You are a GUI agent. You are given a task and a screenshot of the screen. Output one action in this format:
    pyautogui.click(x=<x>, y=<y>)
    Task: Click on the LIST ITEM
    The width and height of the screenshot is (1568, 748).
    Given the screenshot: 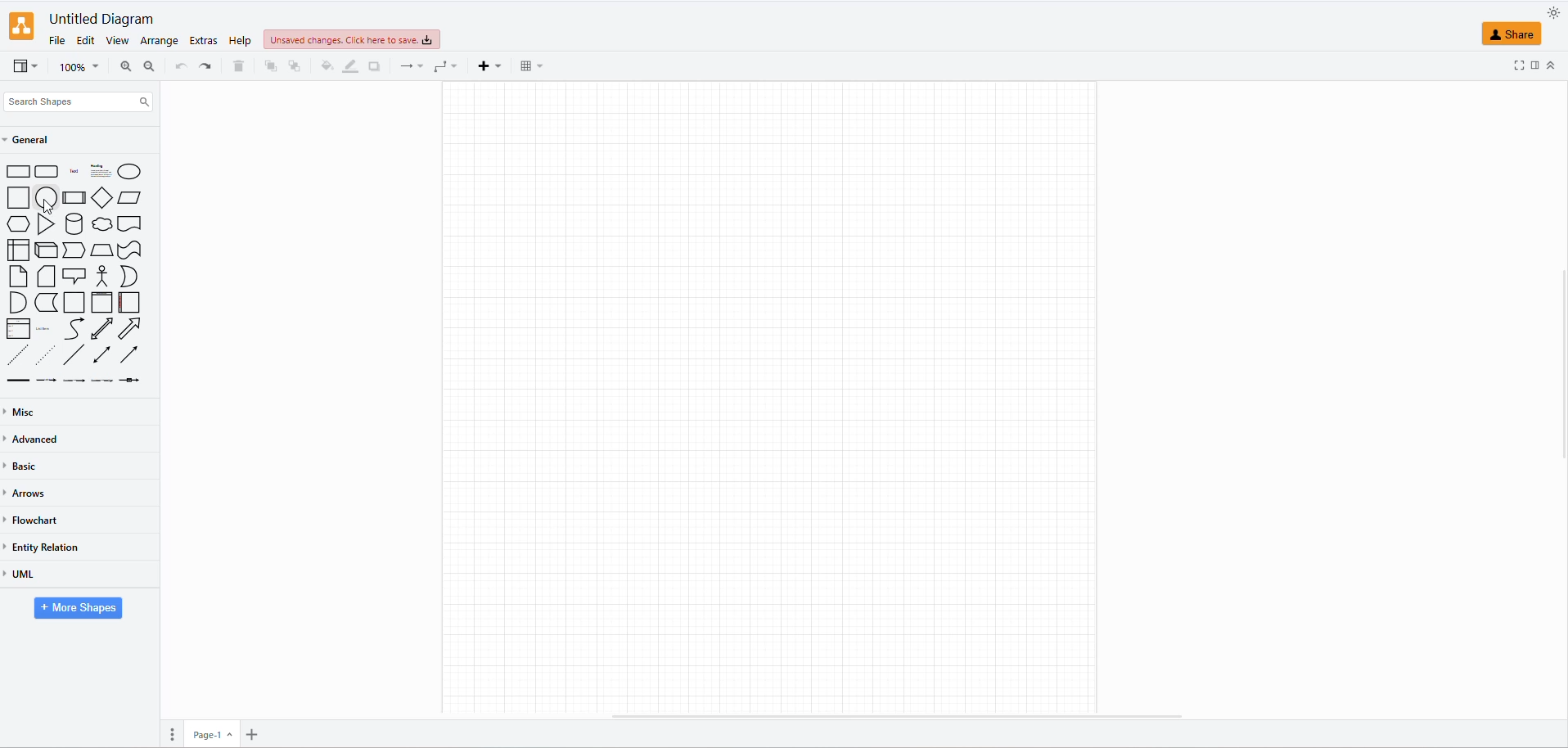 What is the action you would take?
    pyautogui.click(x=44, y=330)
    